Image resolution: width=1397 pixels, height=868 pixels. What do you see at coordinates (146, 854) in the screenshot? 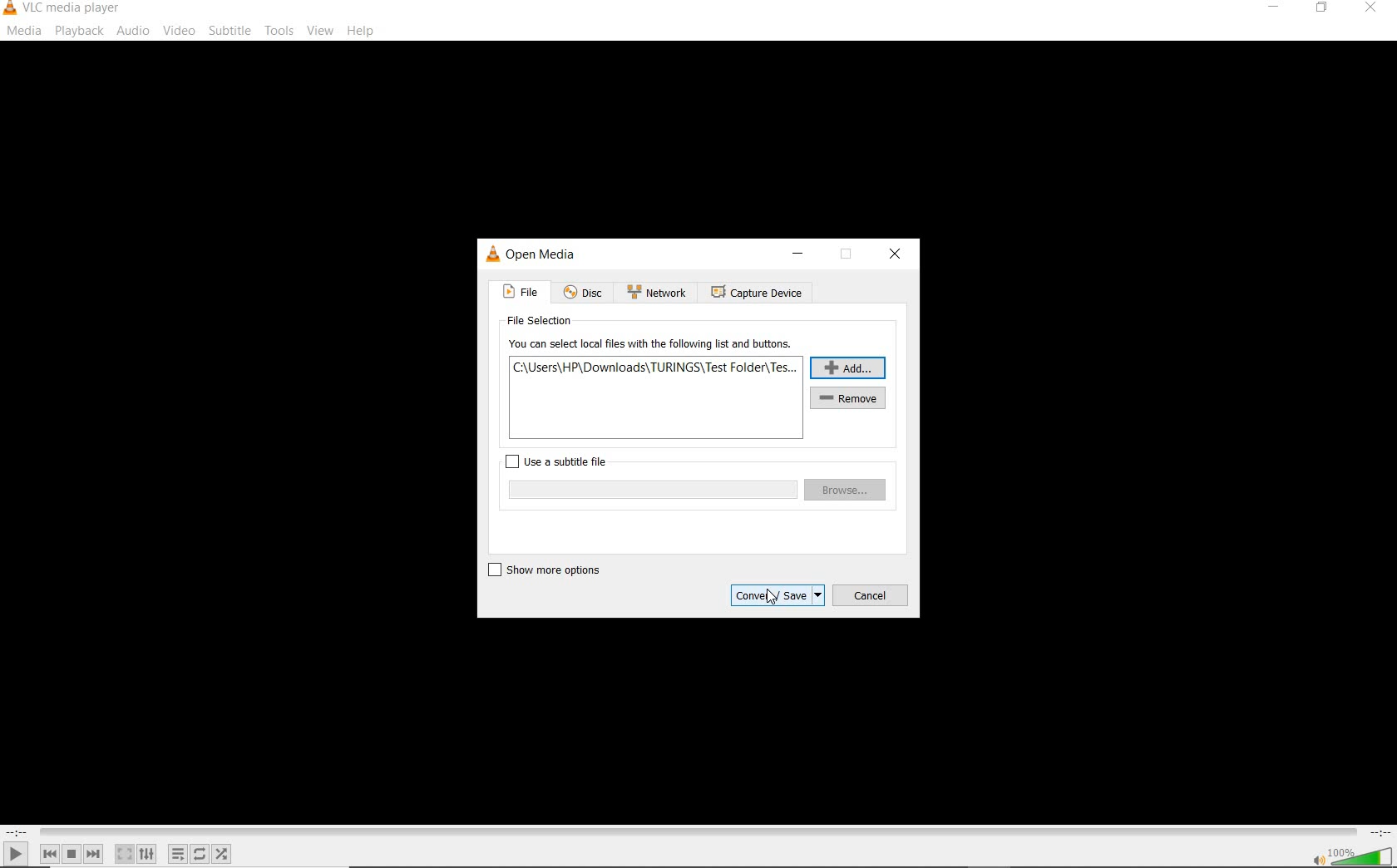
I see `show extended settings` at bounding box center [146, 854].